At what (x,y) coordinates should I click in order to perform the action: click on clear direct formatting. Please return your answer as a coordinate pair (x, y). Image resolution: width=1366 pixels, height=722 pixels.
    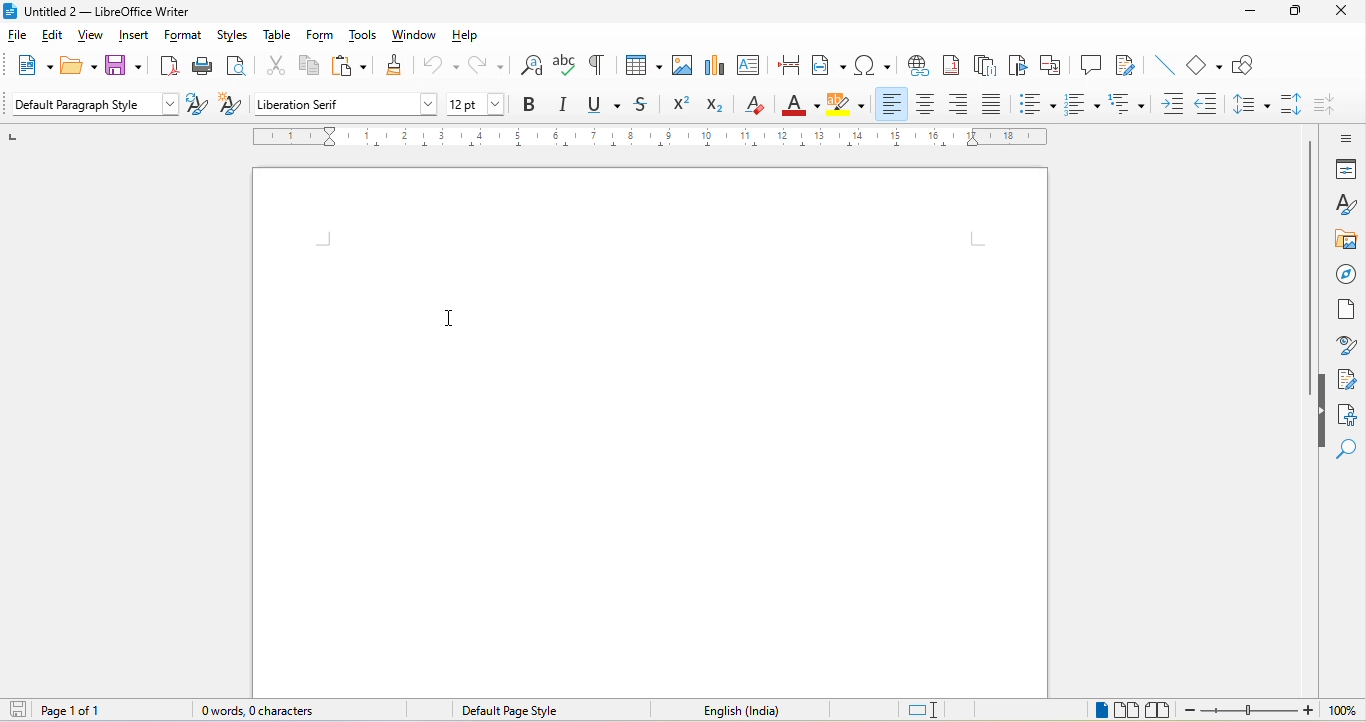
    Looking at the image, I should click on (755, 107).